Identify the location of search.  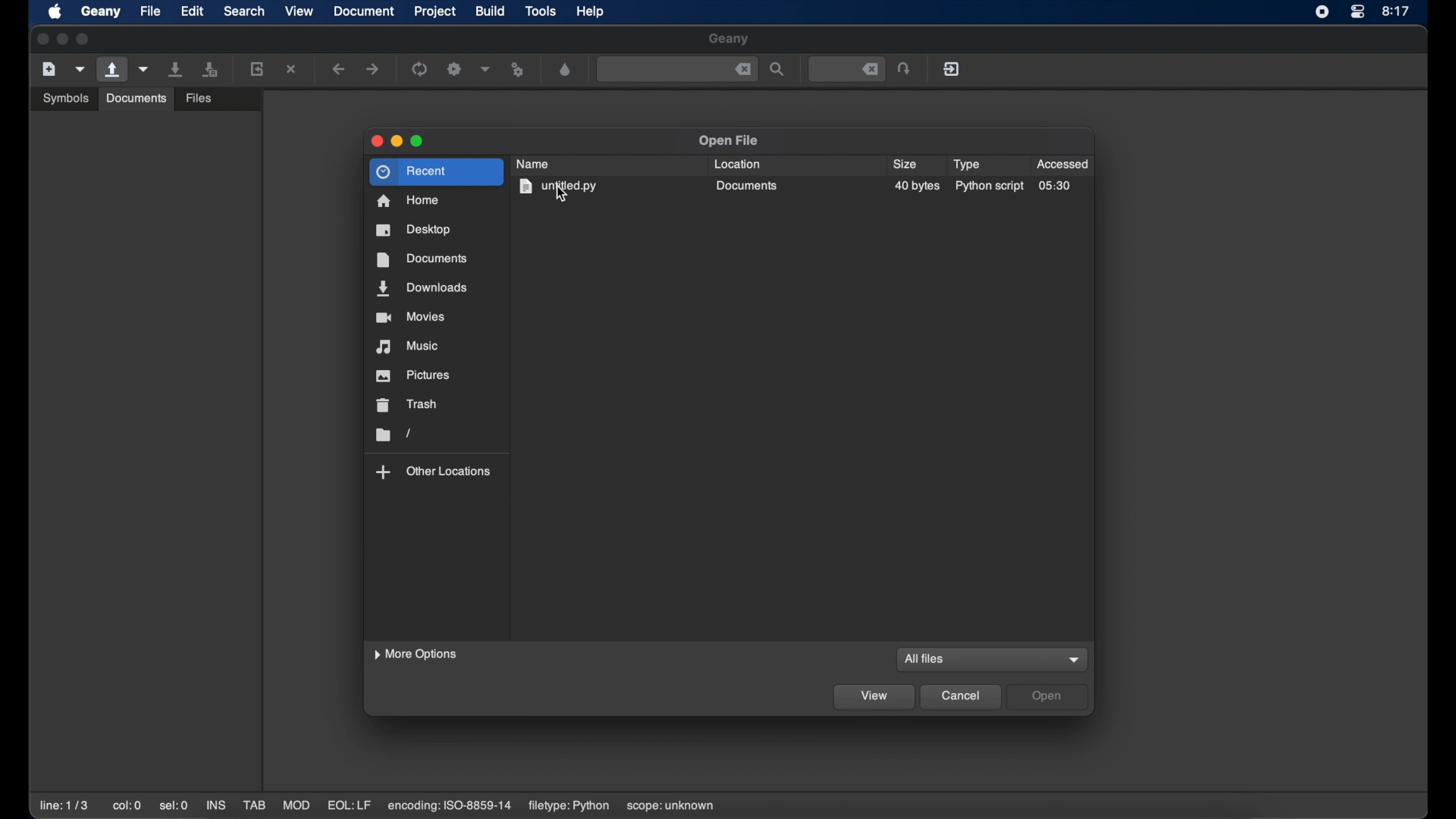
(244, 11).